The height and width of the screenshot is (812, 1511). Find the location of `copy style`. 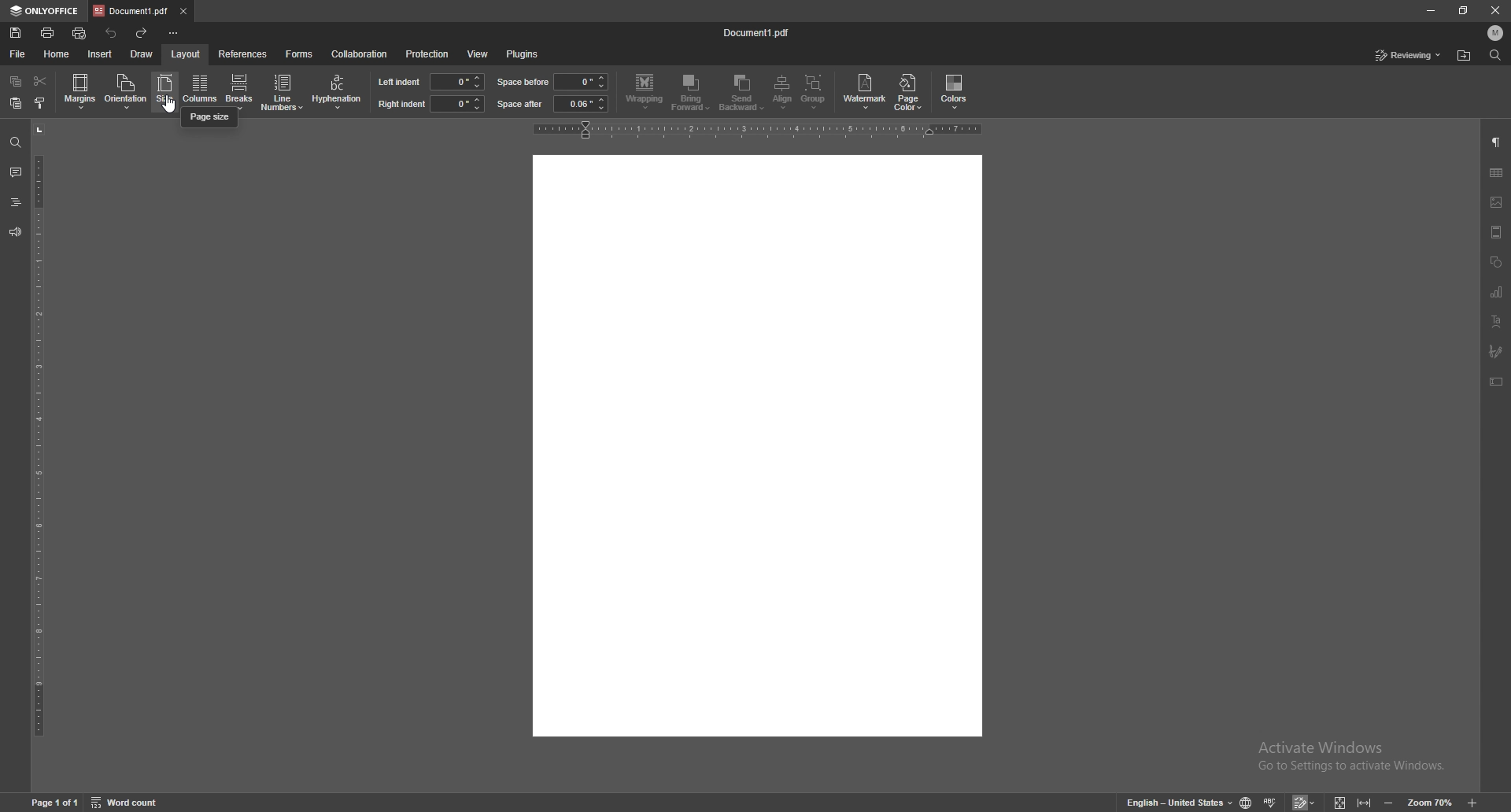

copy style is located at coordinates (40, 101).